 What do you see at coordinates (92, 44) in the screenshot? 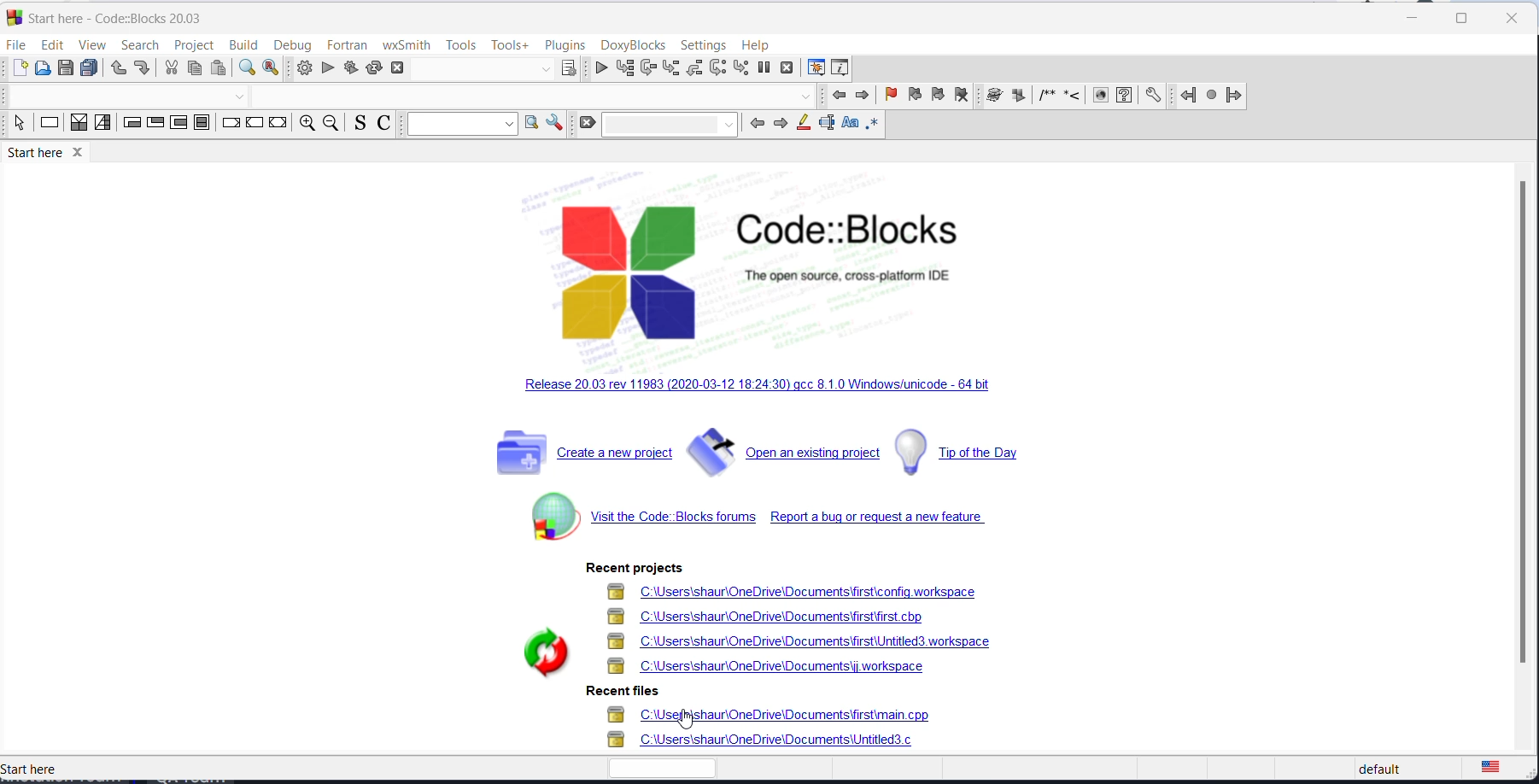
I see `view` at bounding box center [92, 44].